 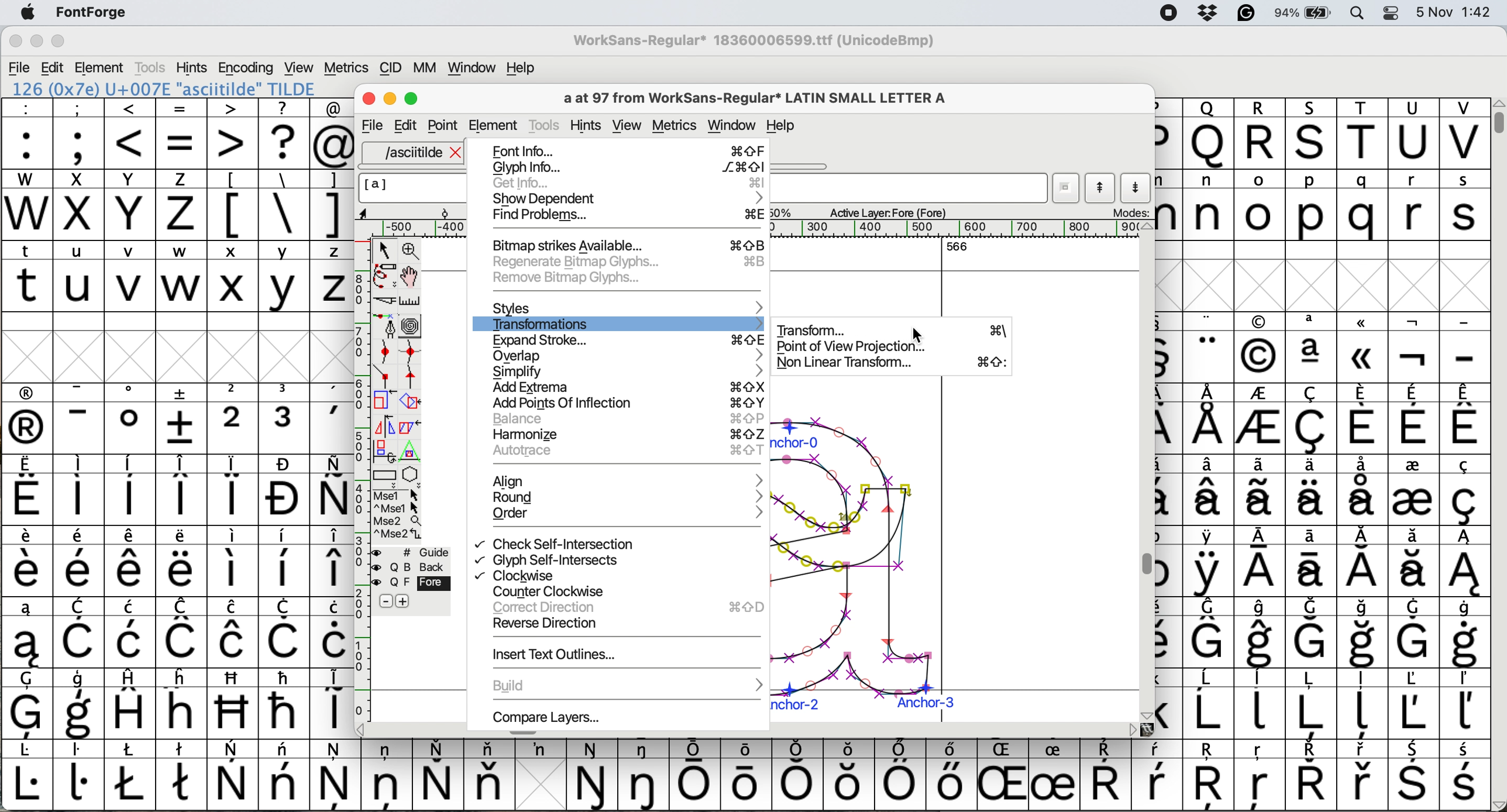 I want to click on scale selection, so click(x=386, y=400).